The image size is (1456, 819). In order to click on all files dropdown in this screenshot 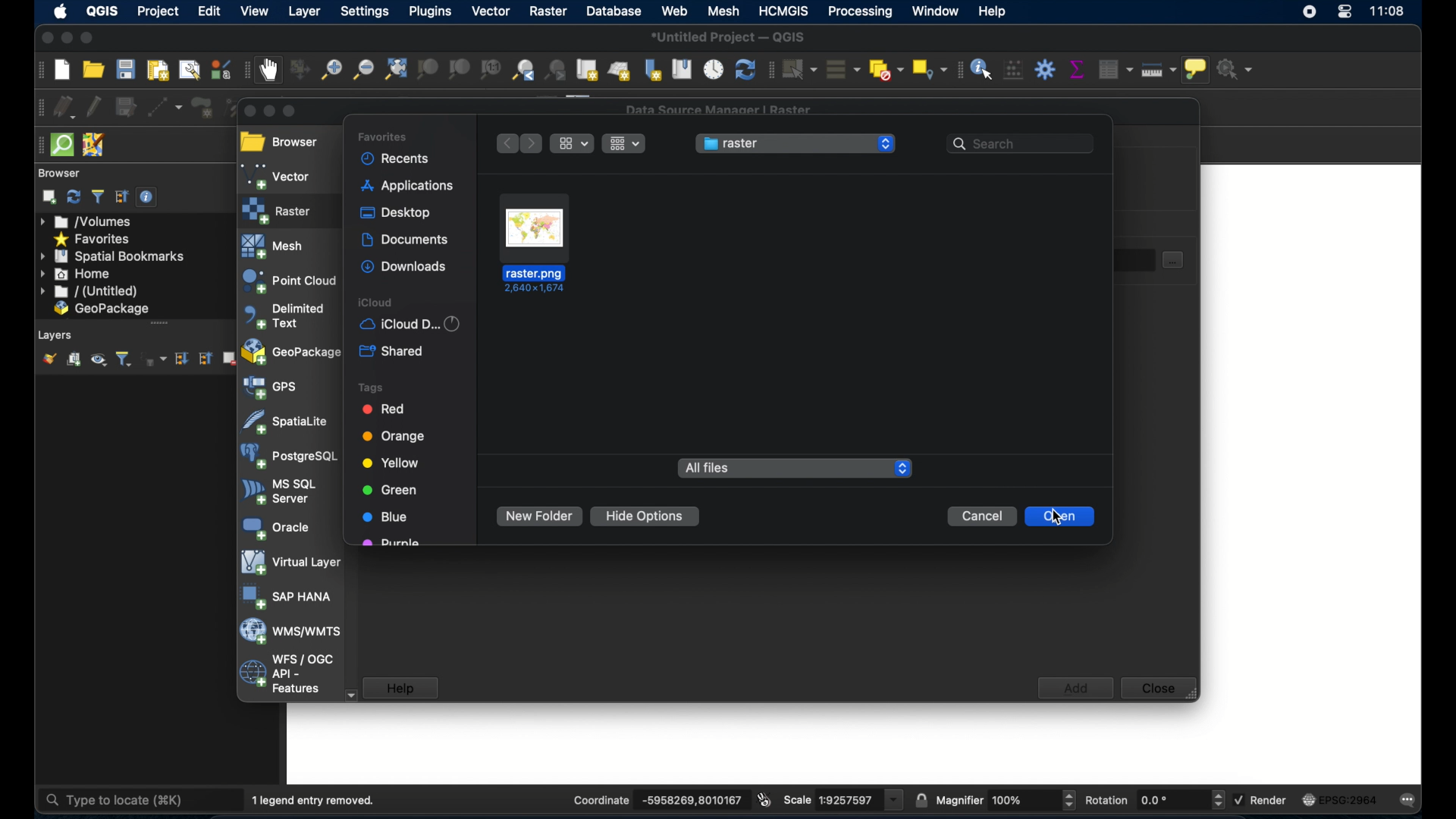, I will do `click(795, 469)`.